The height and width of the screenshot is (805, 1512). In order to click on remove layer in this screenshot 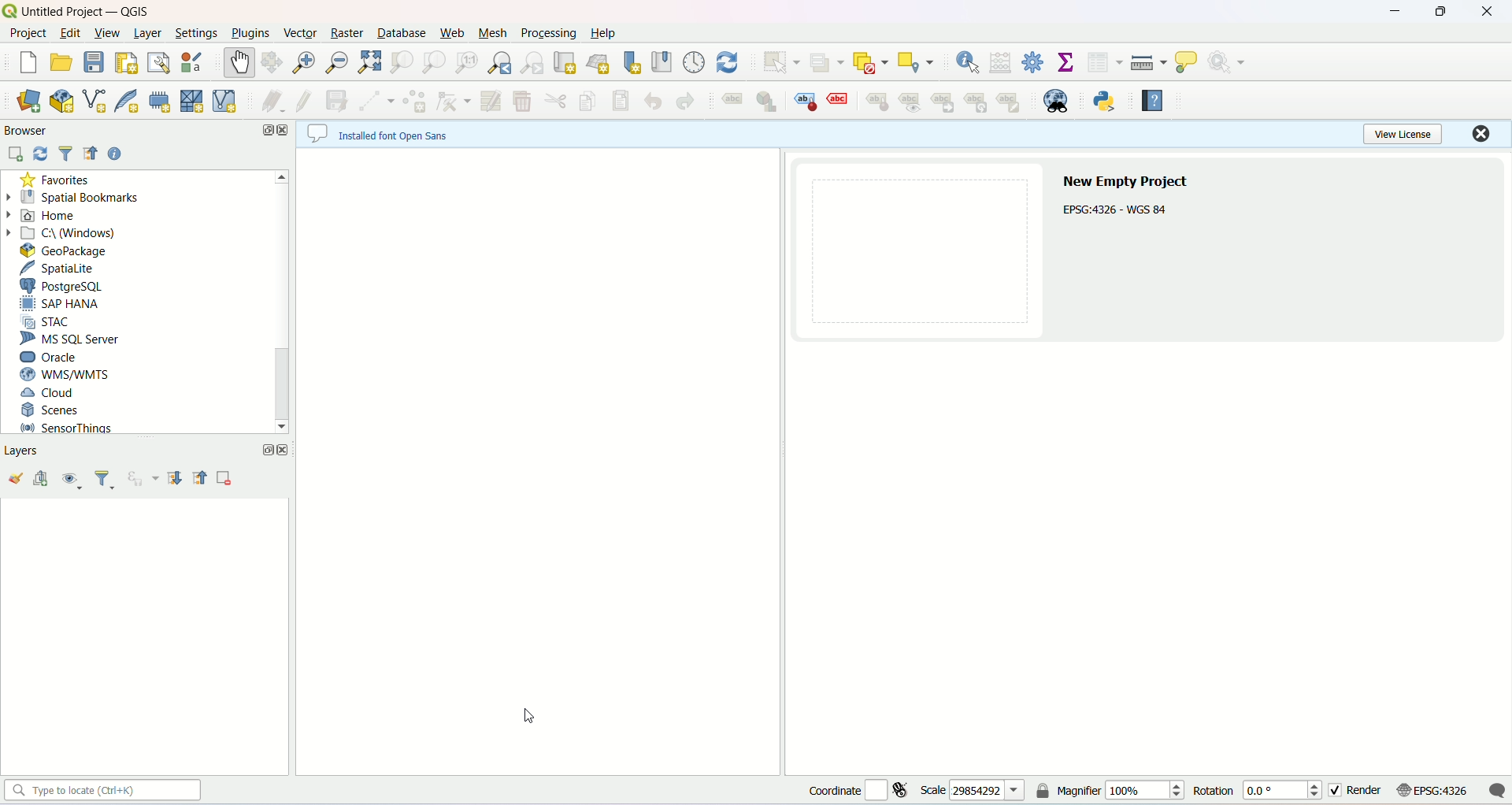, I will do `click(227, 482)`.